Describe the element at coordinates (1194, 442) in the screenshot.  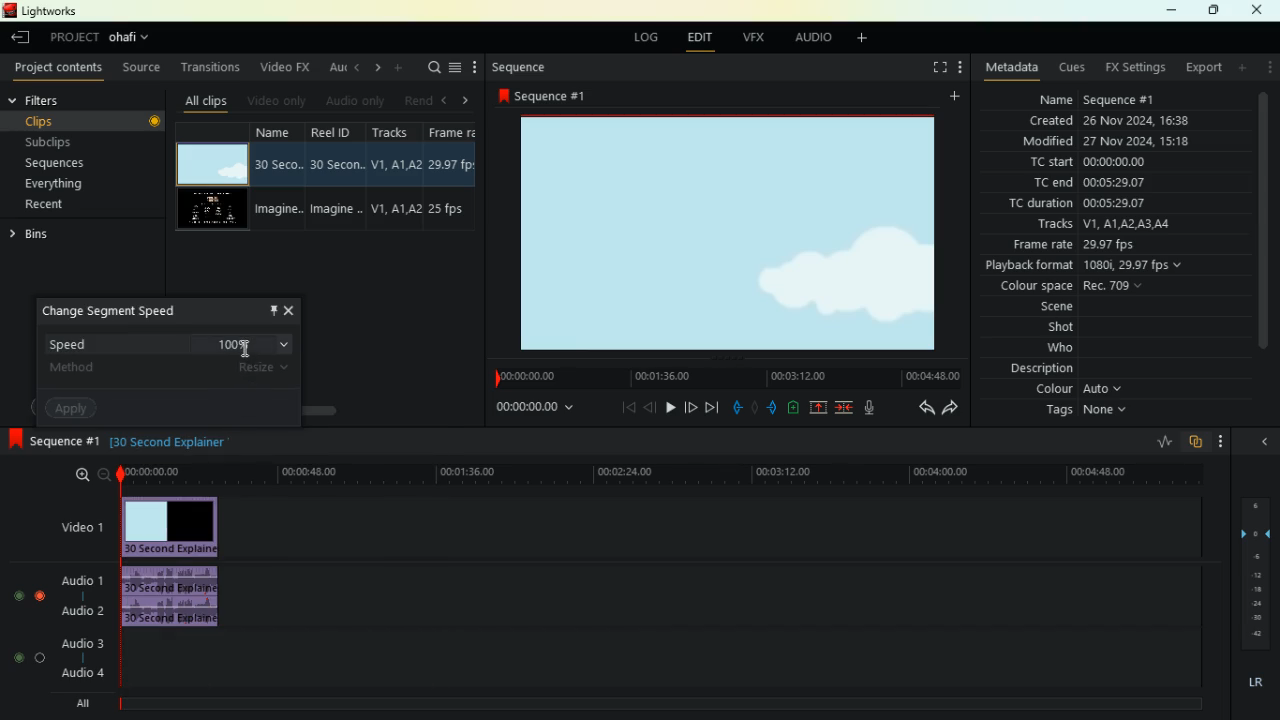
I see `overlap` at that location.